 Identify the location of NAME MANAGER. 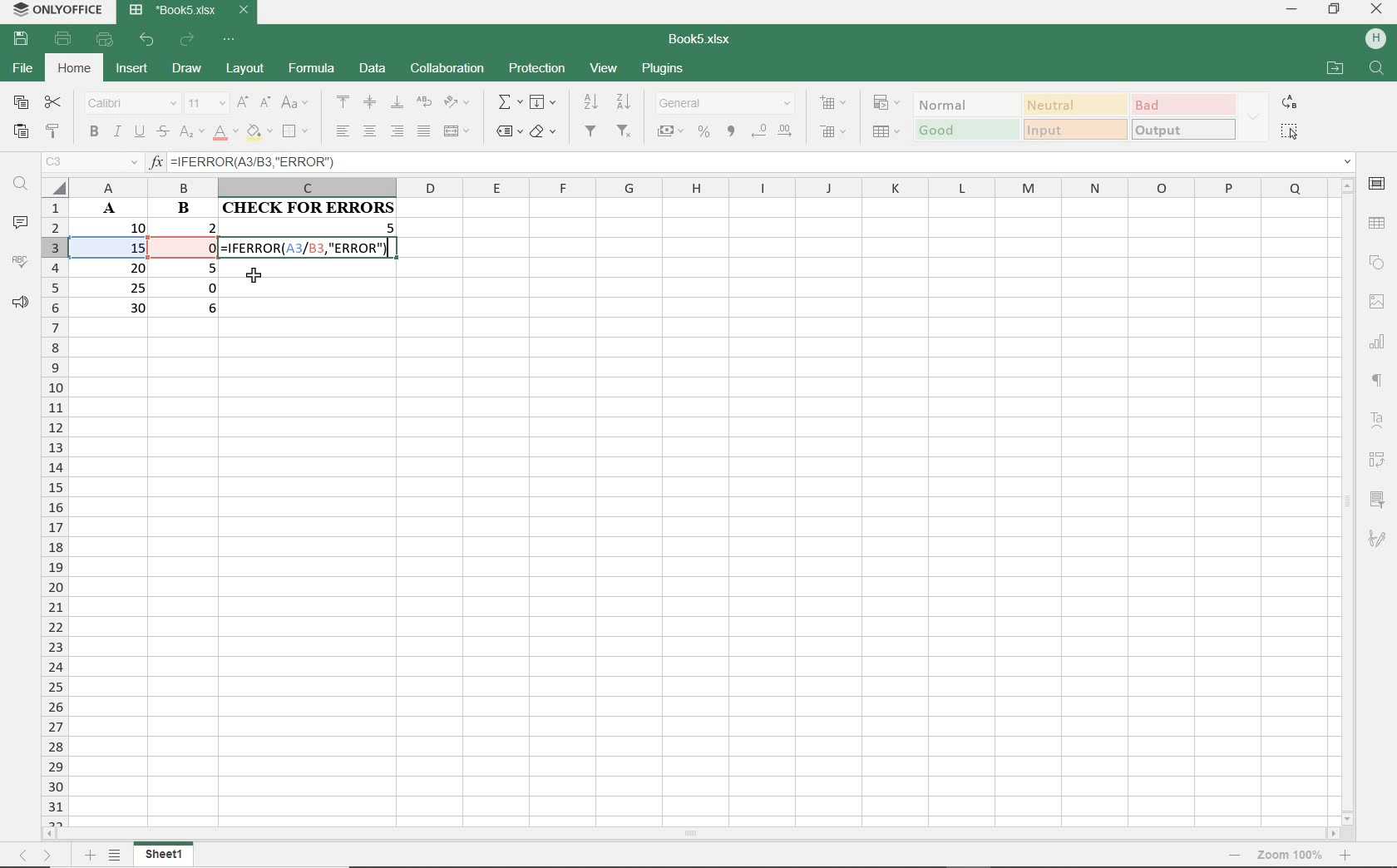
(89, 164).